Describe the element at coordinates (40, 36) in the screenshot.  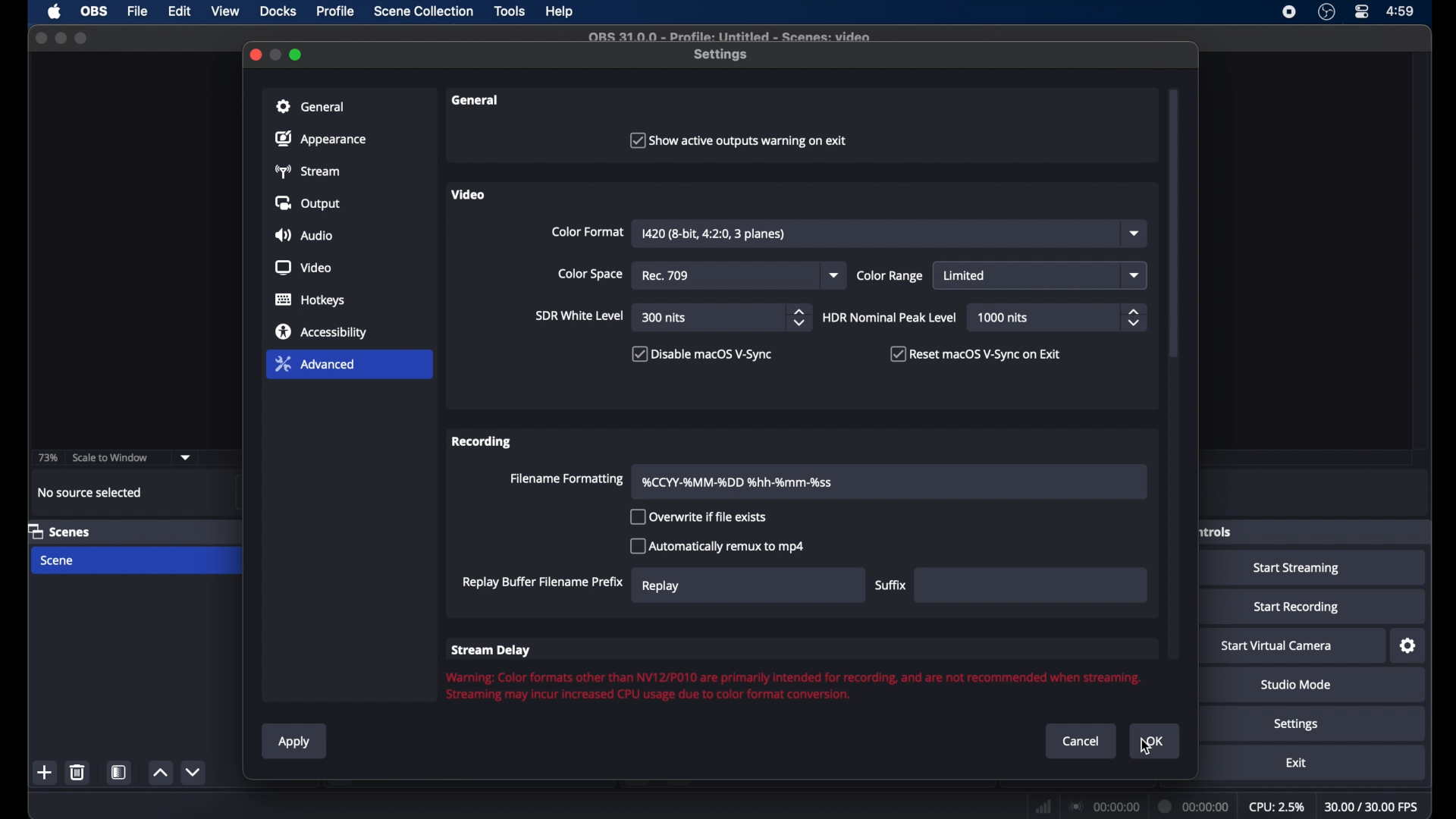
I see `close` at that location.